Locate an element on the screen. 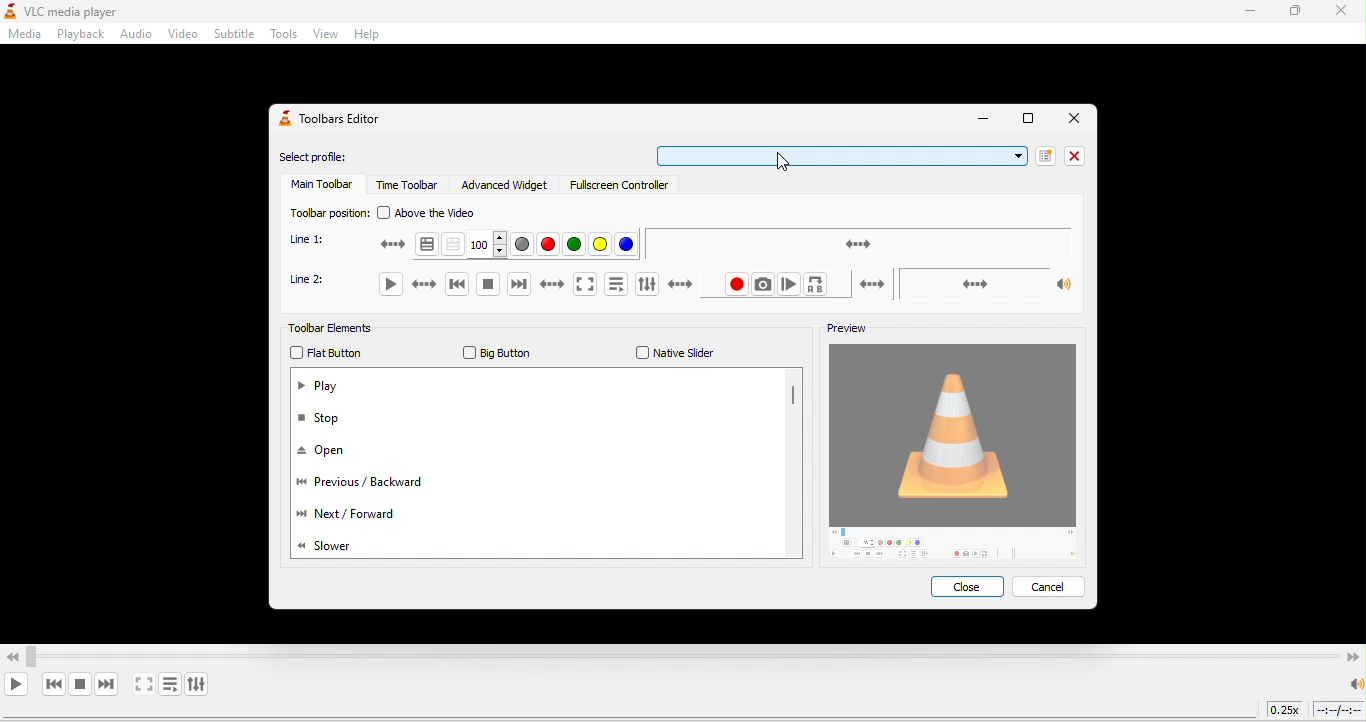 This screenshot has width=1366, height=722. open is located at coordinates (330, 452).